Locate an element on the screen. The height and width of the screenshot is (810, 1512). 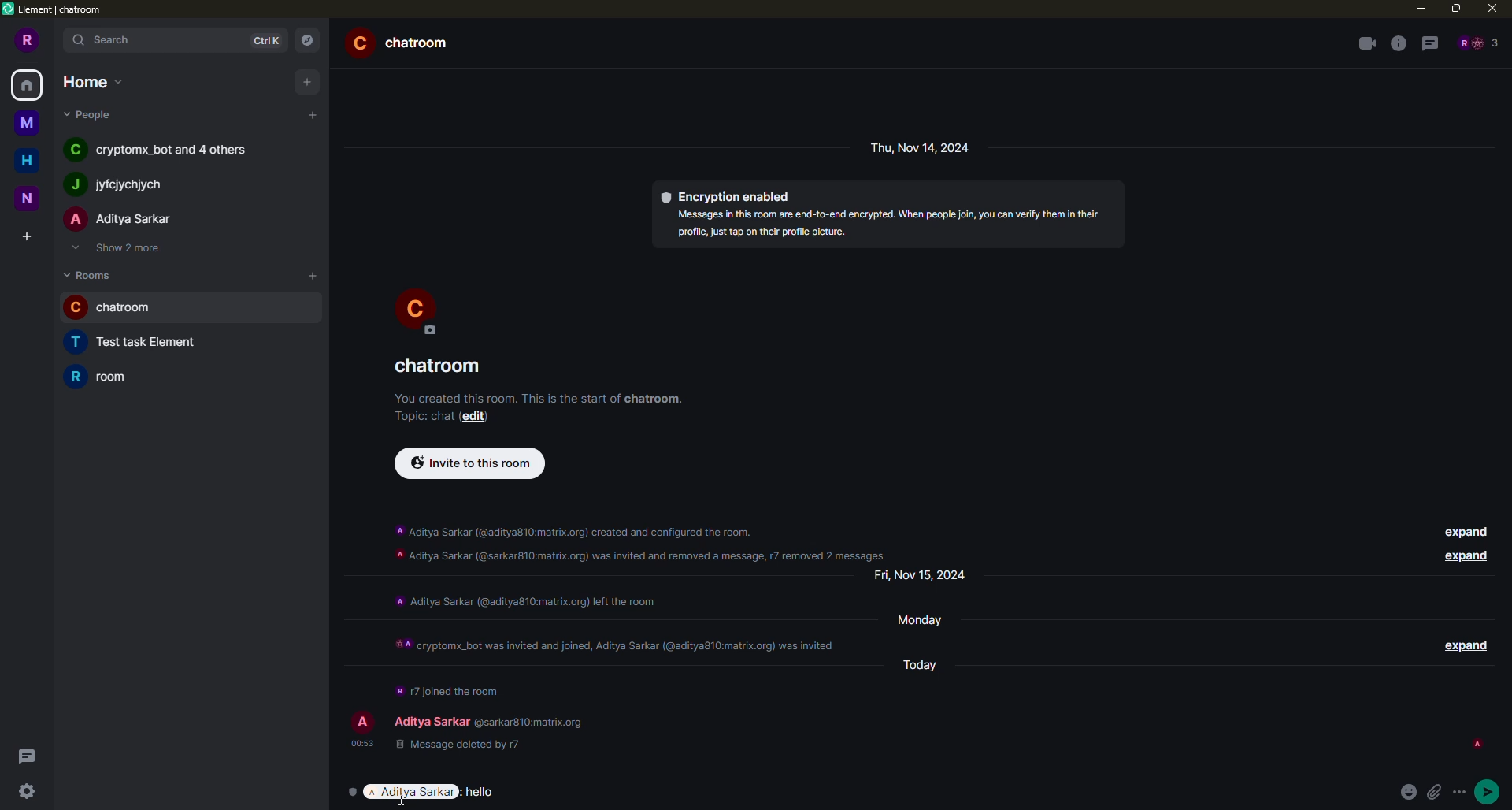
add is located at coordinates (312, 273).